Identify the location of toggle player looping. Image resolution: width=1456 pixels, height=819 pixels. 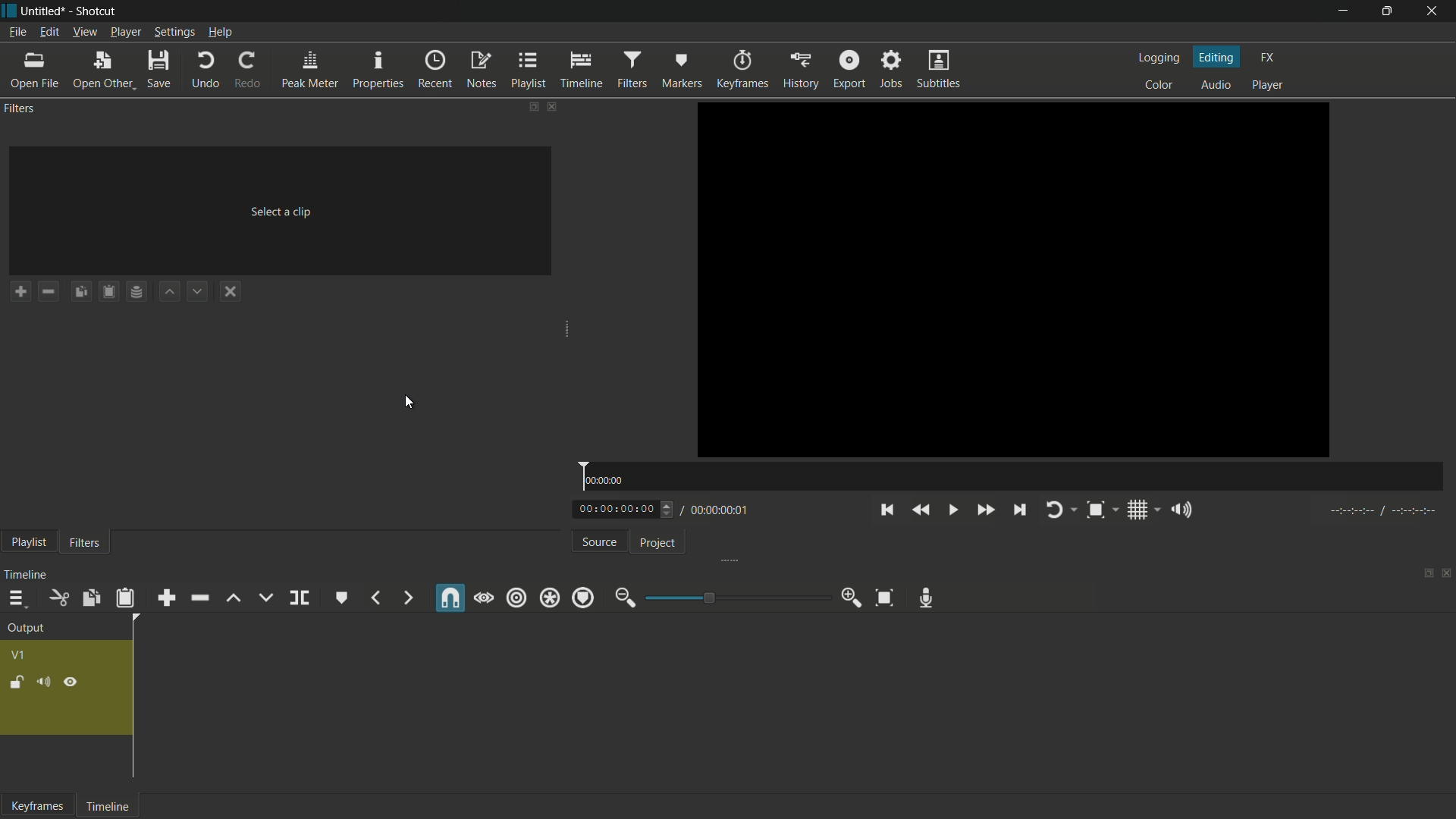
(1054, 510).